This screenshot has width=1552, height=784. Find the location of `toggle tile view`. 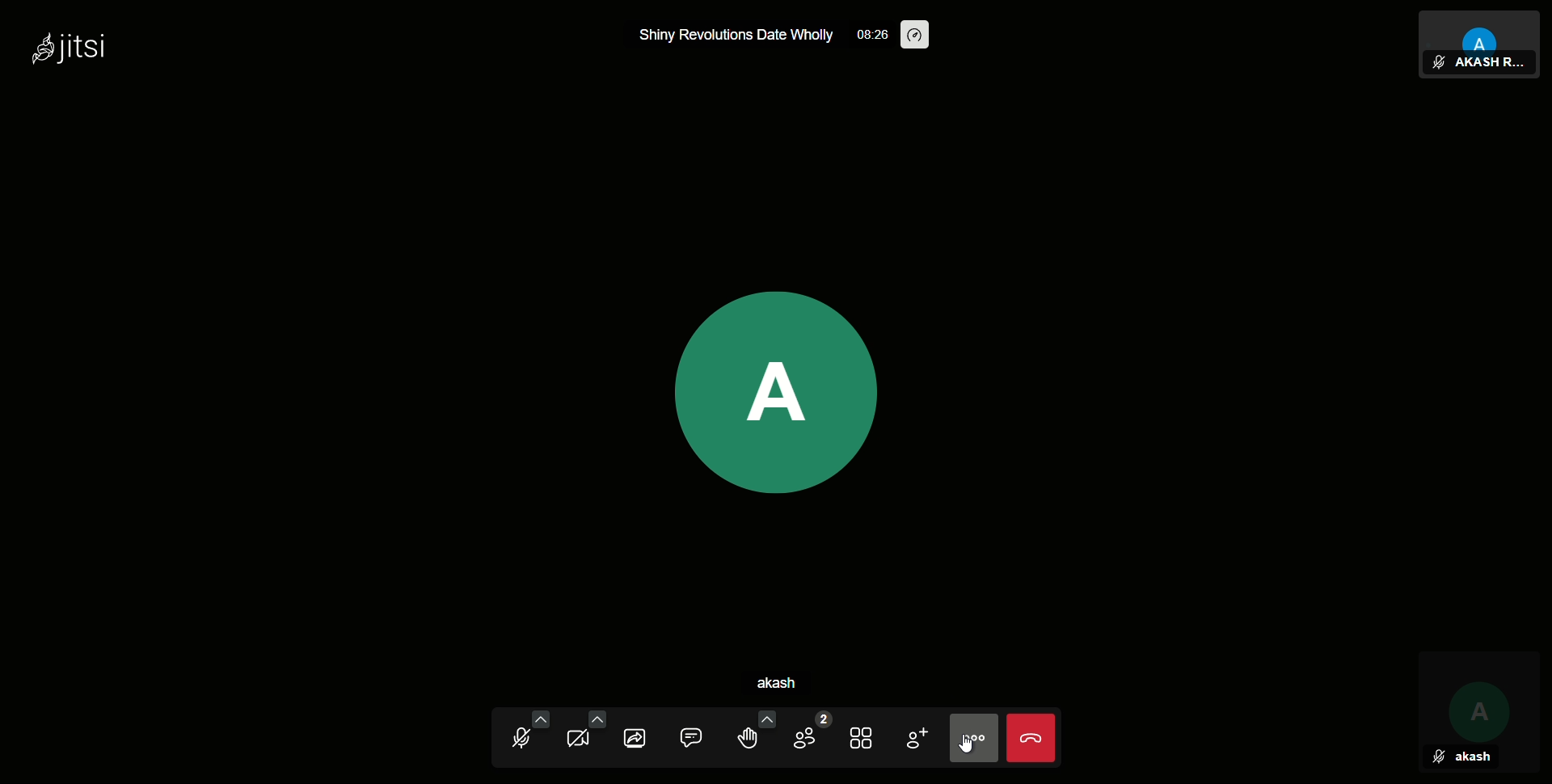

toggle tile view is located at coordinates (864, 735).